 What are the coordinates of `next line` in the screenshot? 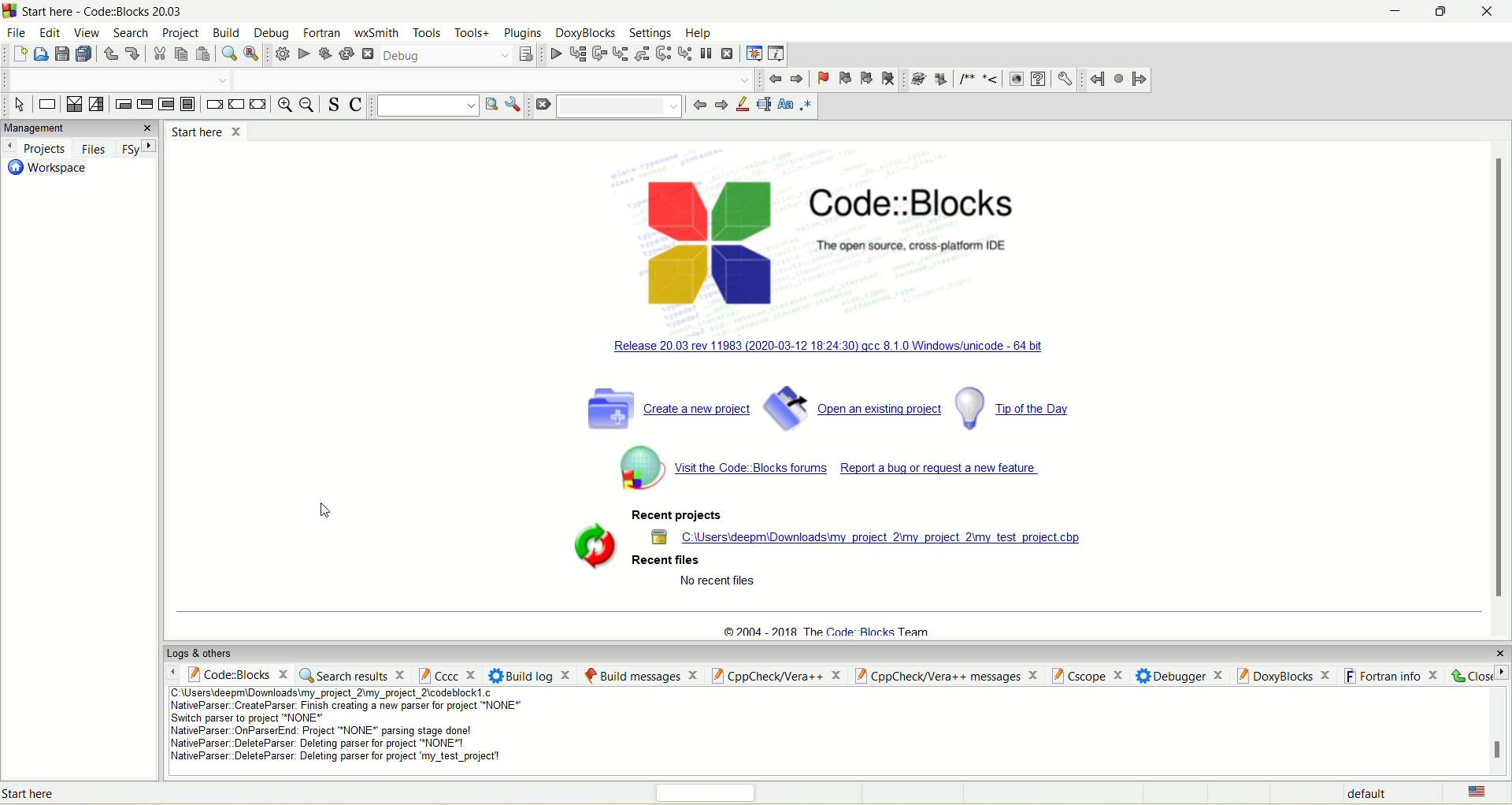 It's located at (599, 54).